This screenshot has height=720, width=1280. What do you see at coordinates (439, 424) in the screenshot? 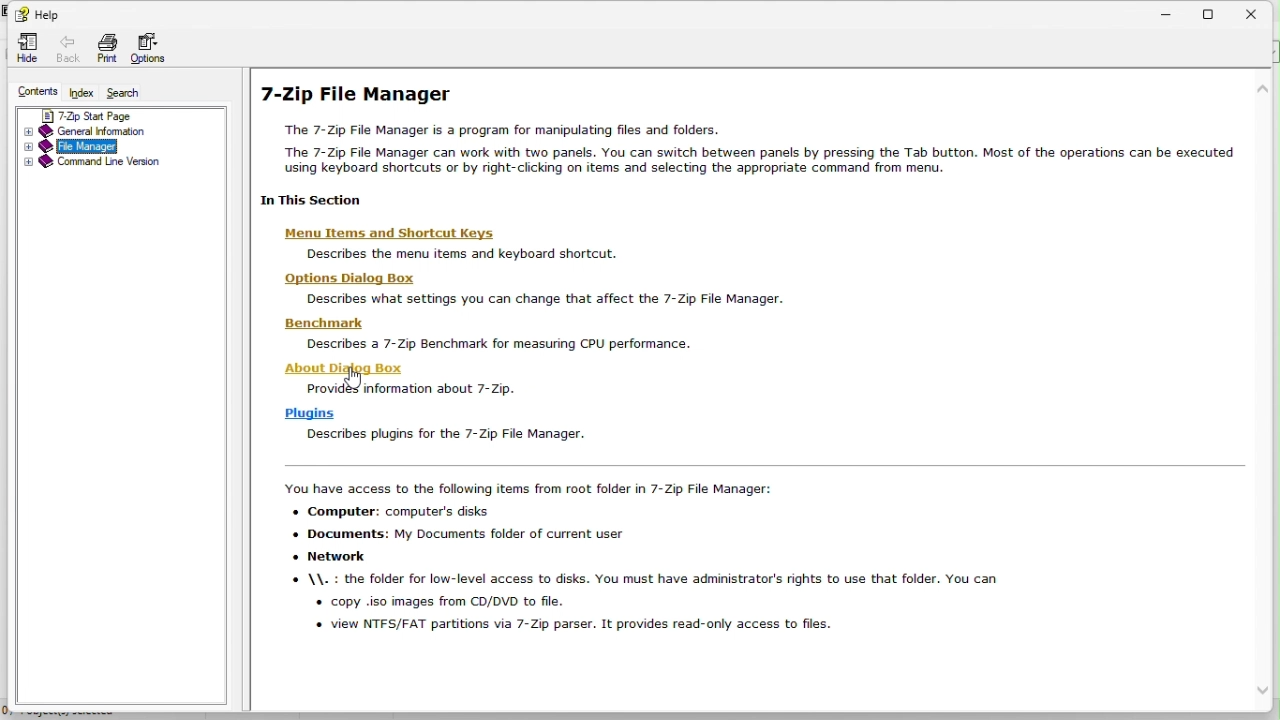
I see `Plugins
Describes plugins for the 7-Zip File Manager.` at bounding box center [439, 424].